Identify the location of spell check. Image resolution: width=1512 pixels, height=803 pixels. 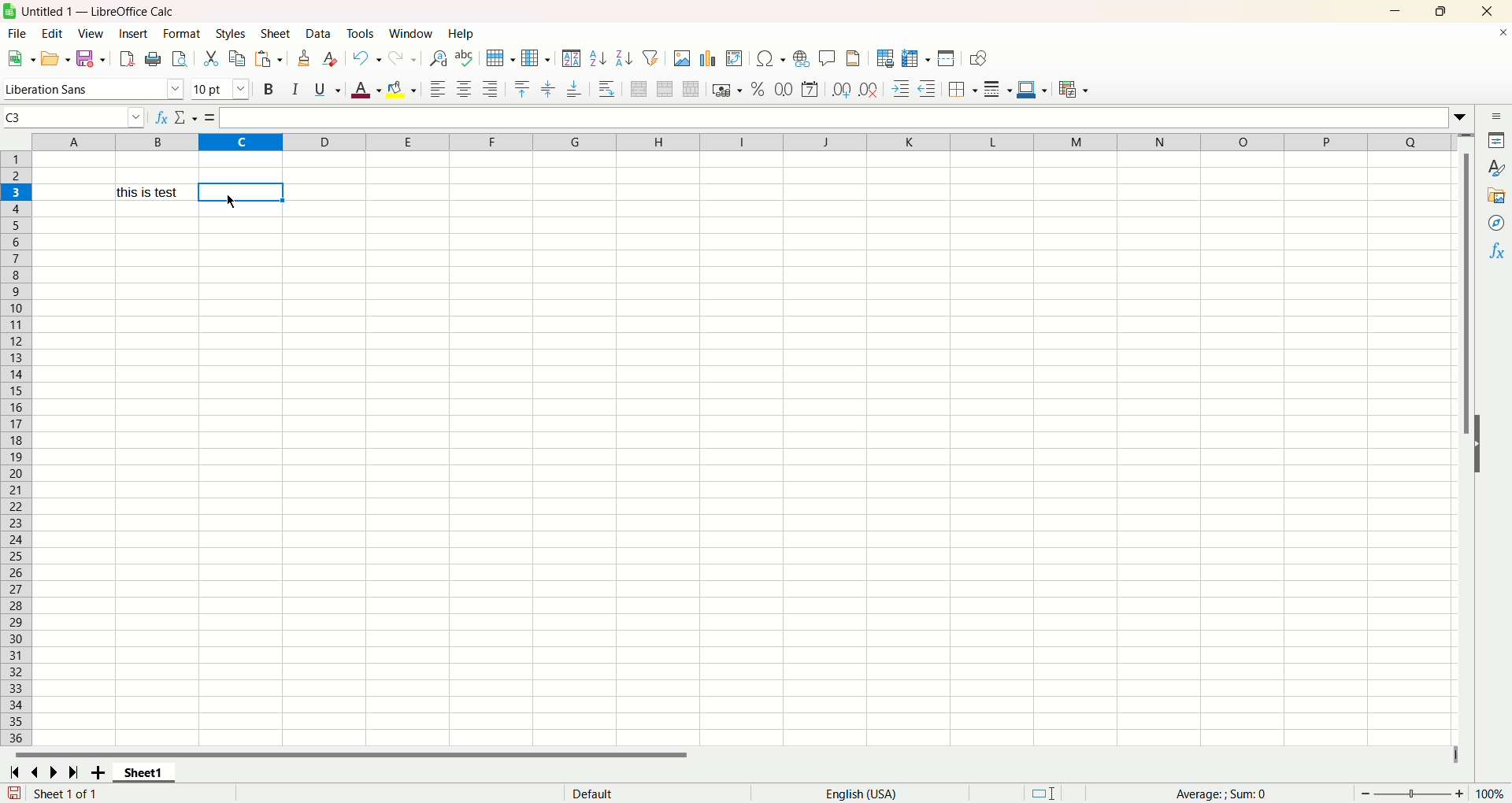
(467, 58).